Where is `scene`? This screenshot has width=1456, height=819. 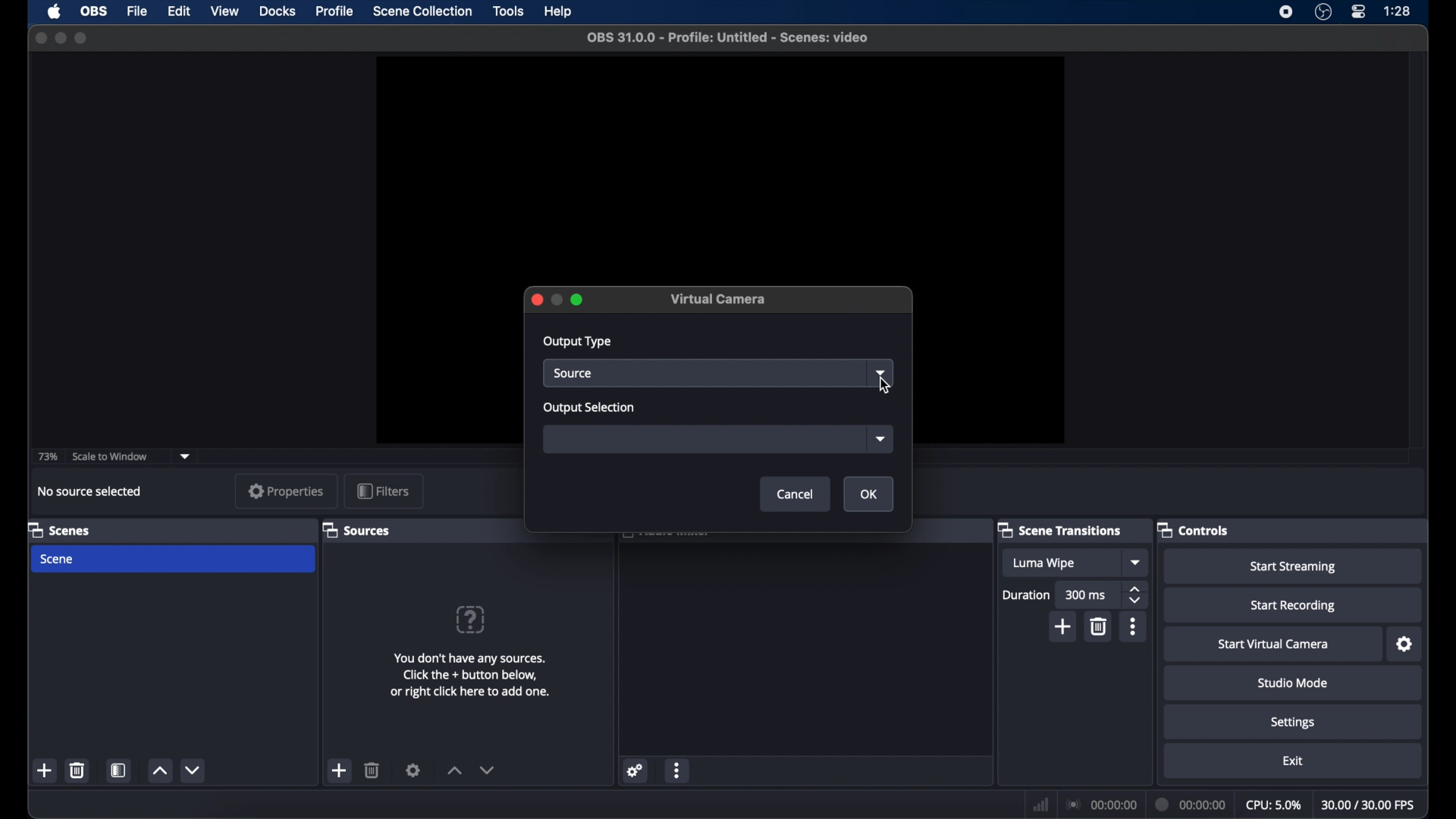 scene is located at coordinates (173, 560).